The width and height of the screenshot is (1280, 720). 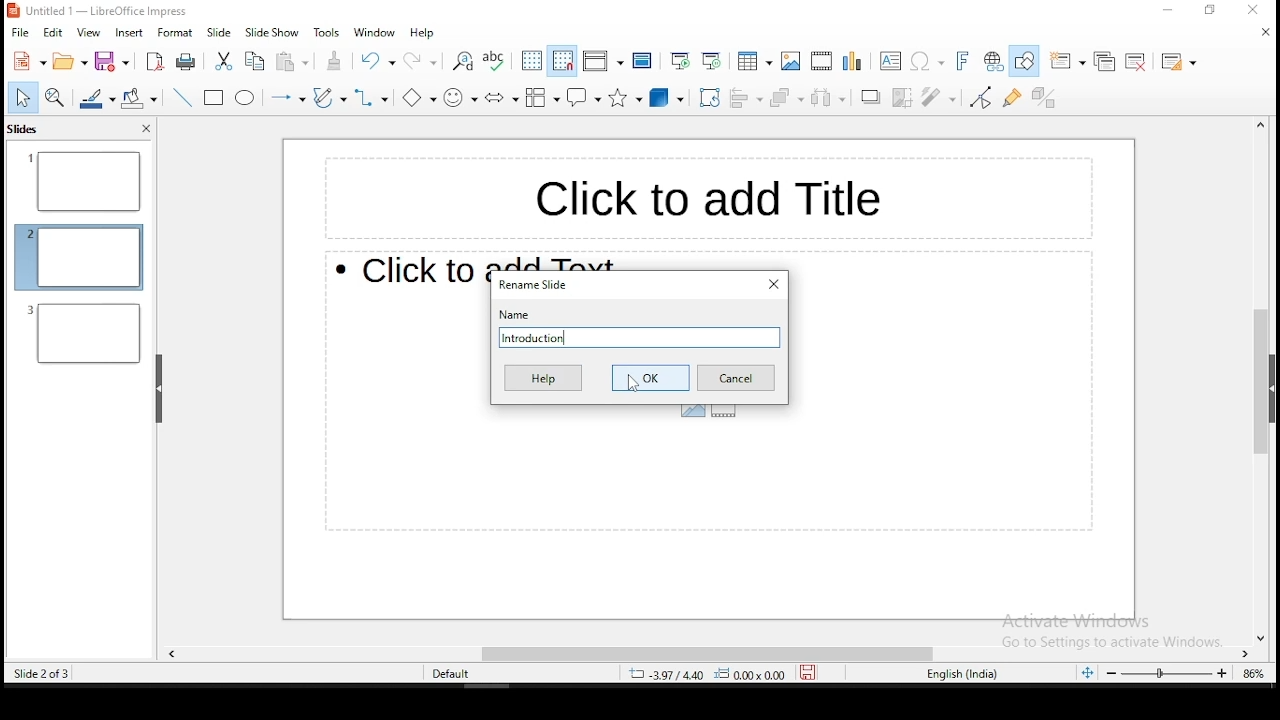 What do you see at coordinates (736, 377) in the screenshot?
I see `cancel` at bounding box center [736, 377].